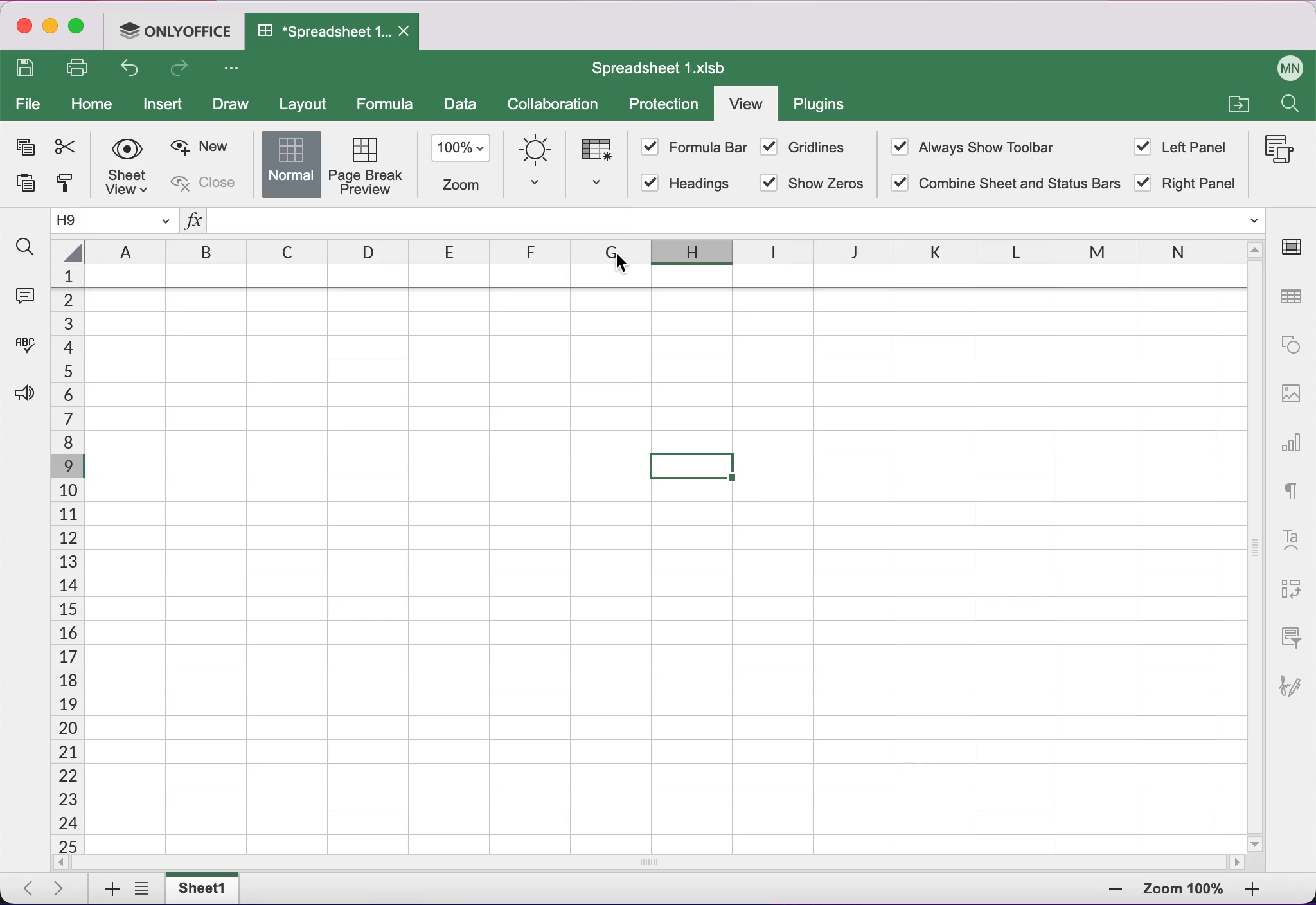  What do you see at coordinates (293, 162) in the screenshot?
I see `shape` at bounding box center [293, 162].